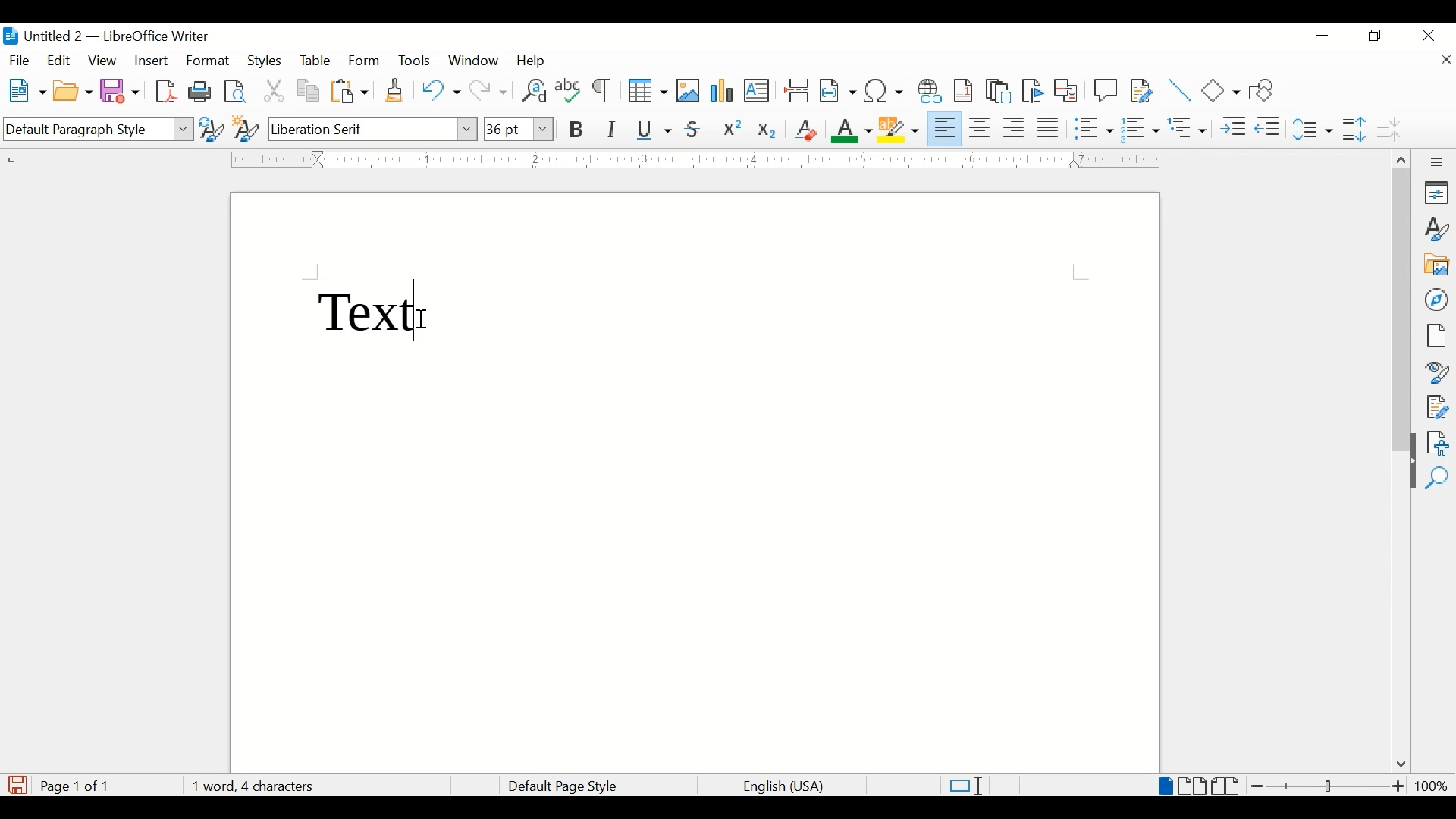  Describe the element at coordinates (253, 786) in the screenshot. I see `word count` at that location.